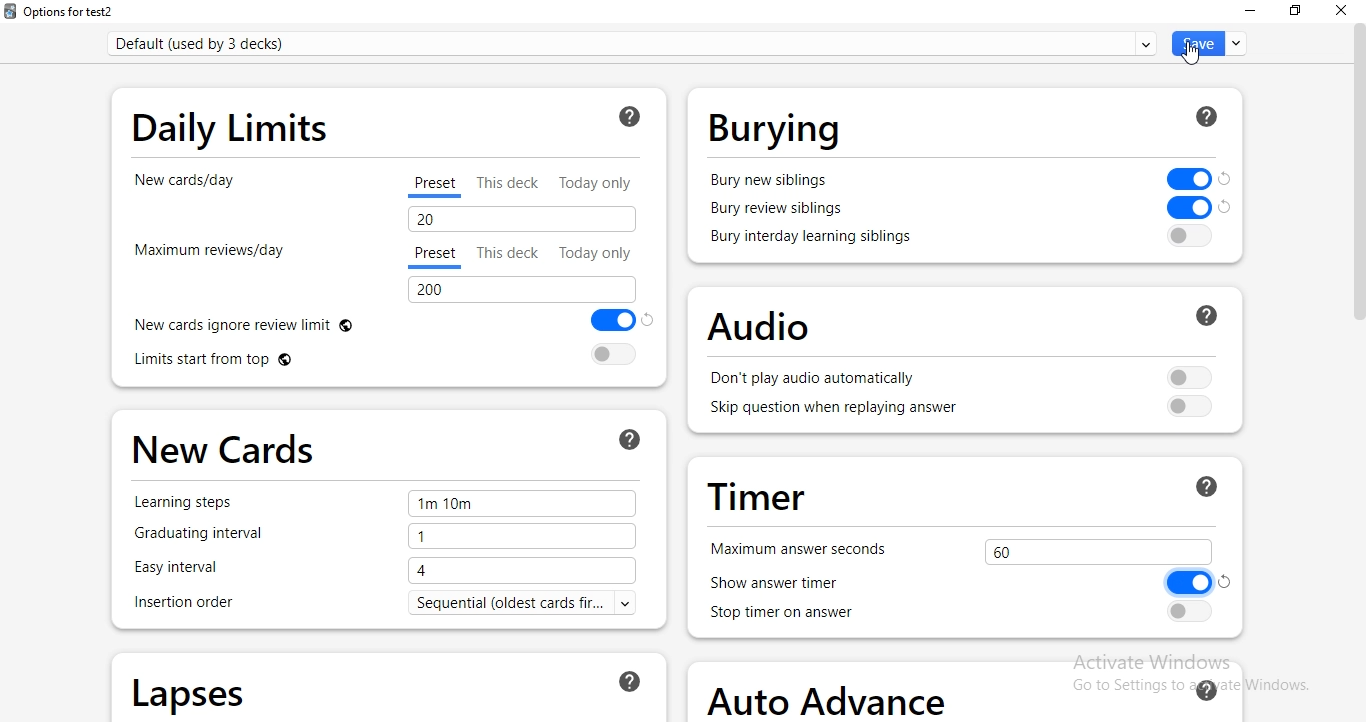 The height and width of the screenshot is (722, 1366). Describe the element at coordinates (525, 572) in the screenshot. I see `4` at that location.